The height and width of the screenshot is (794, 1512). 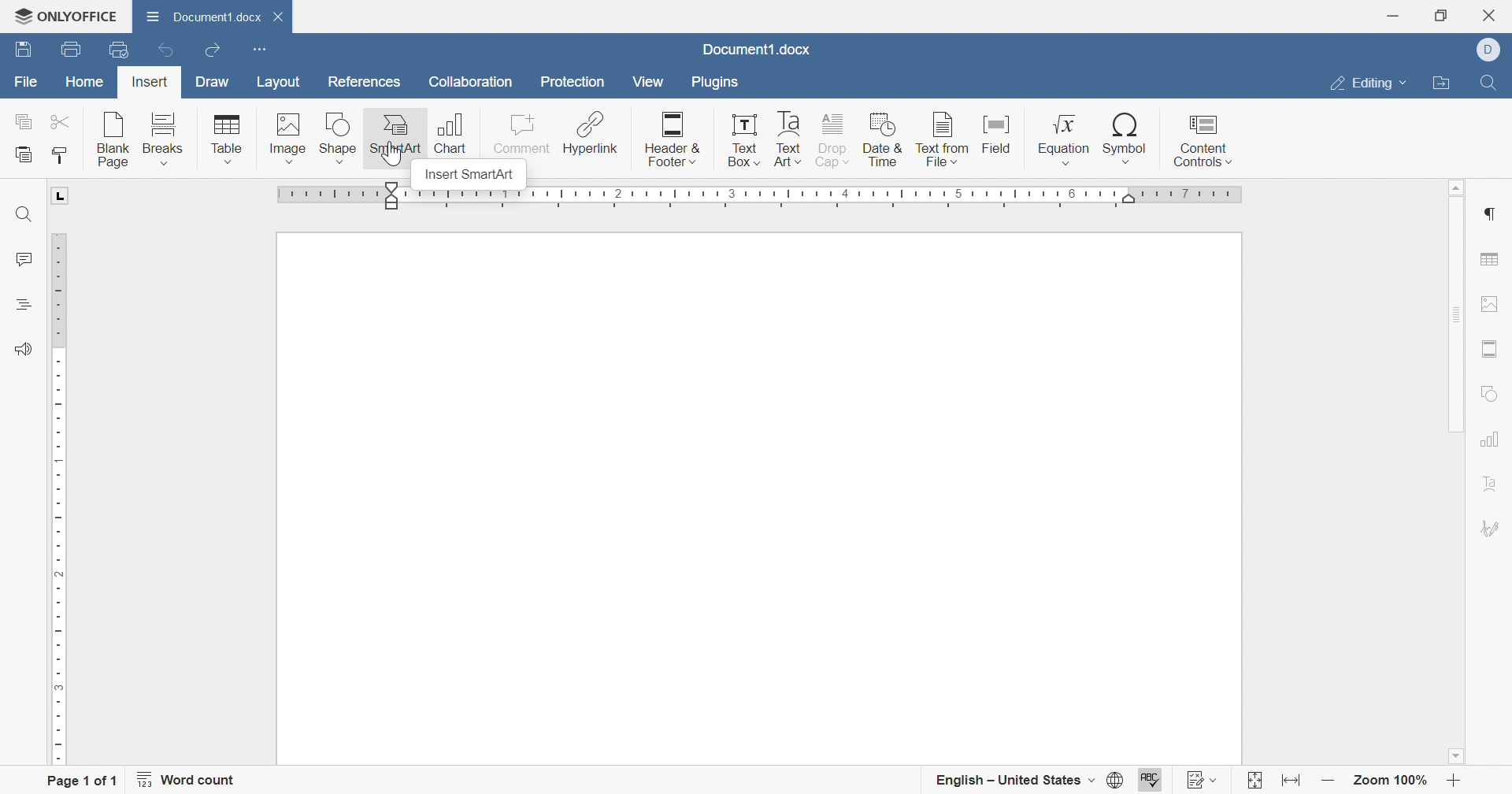 What do you see at coordinates (1491, 349) in the screenshot?
I see `Headers & Footers` at bounding box center [1491, 349].